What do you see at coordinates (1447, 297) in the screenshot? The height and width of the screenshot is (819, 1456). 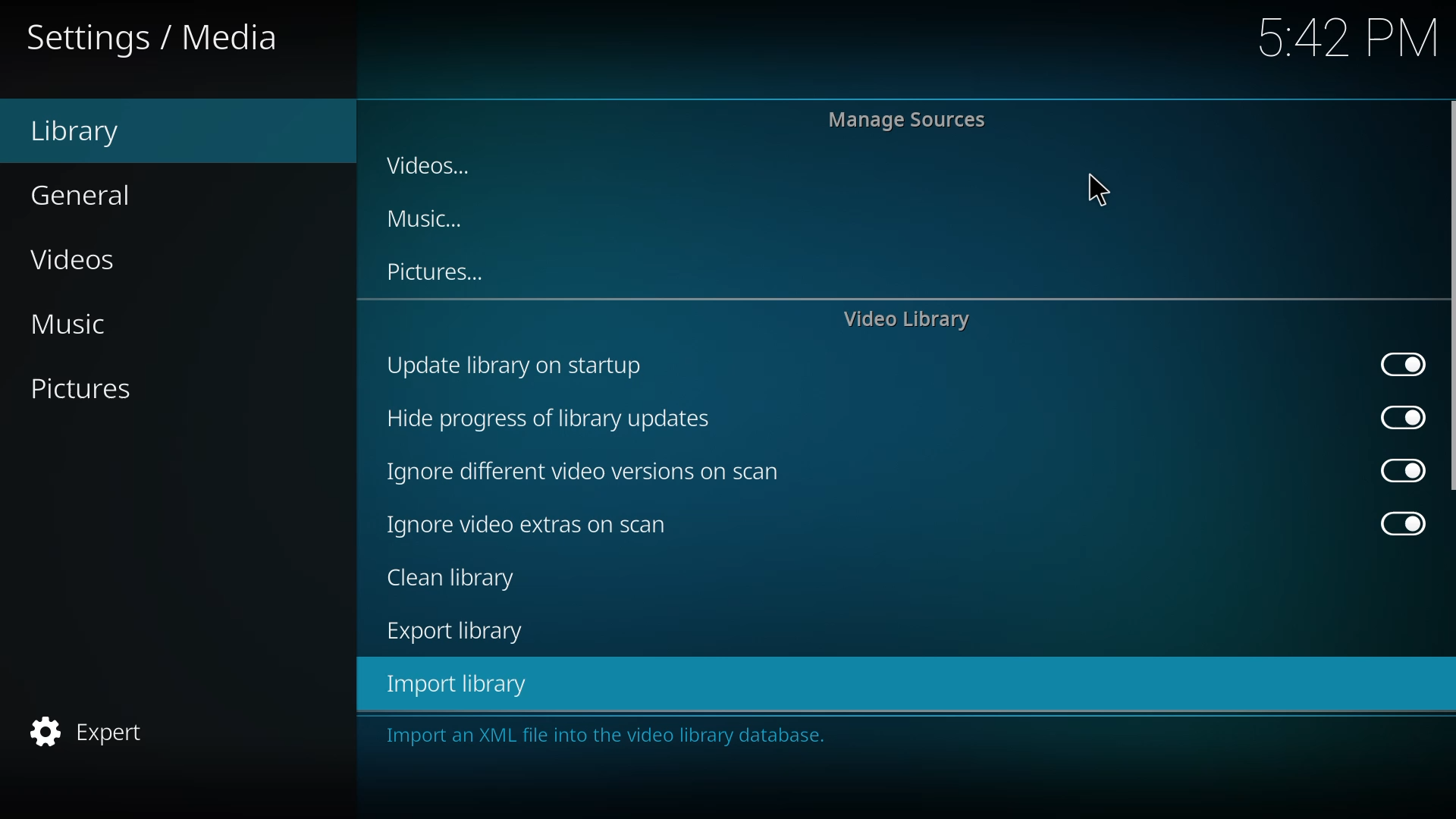 I see `scroll bar` at bounding box center [1447, 297].